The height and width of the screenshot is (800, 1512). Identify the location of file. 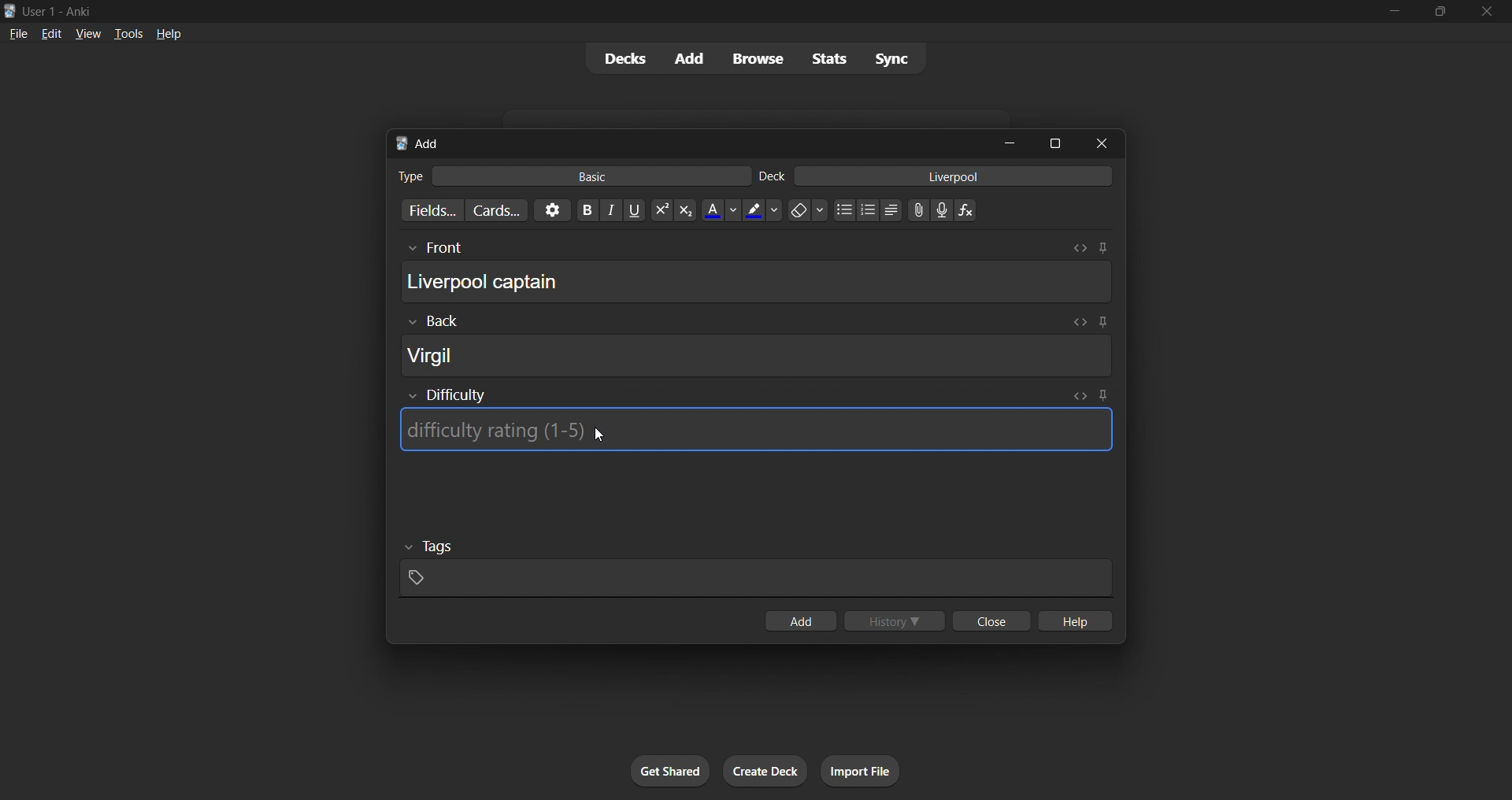
(18, 32).